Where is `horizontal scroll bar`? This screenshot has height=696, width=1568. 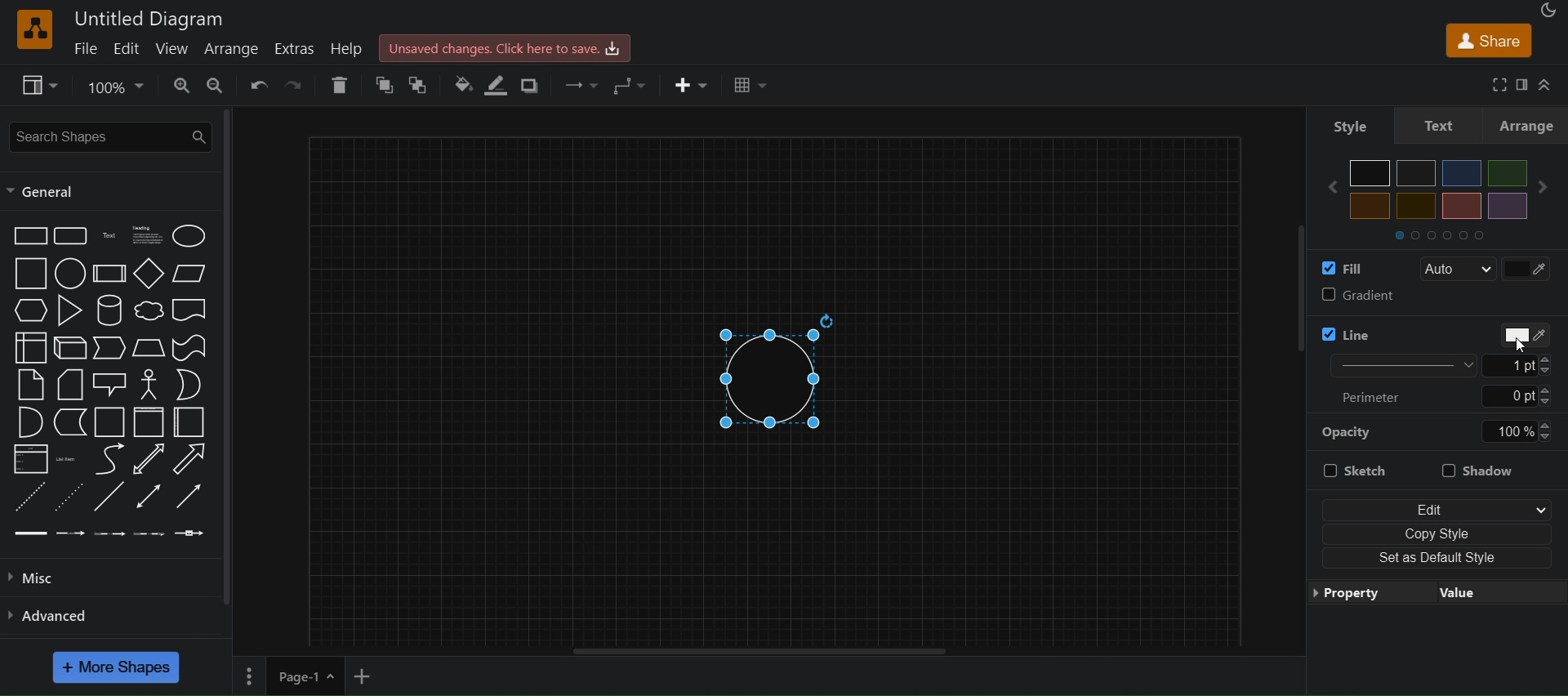 horizontal scroll bar is located at coordinates (760, 651).